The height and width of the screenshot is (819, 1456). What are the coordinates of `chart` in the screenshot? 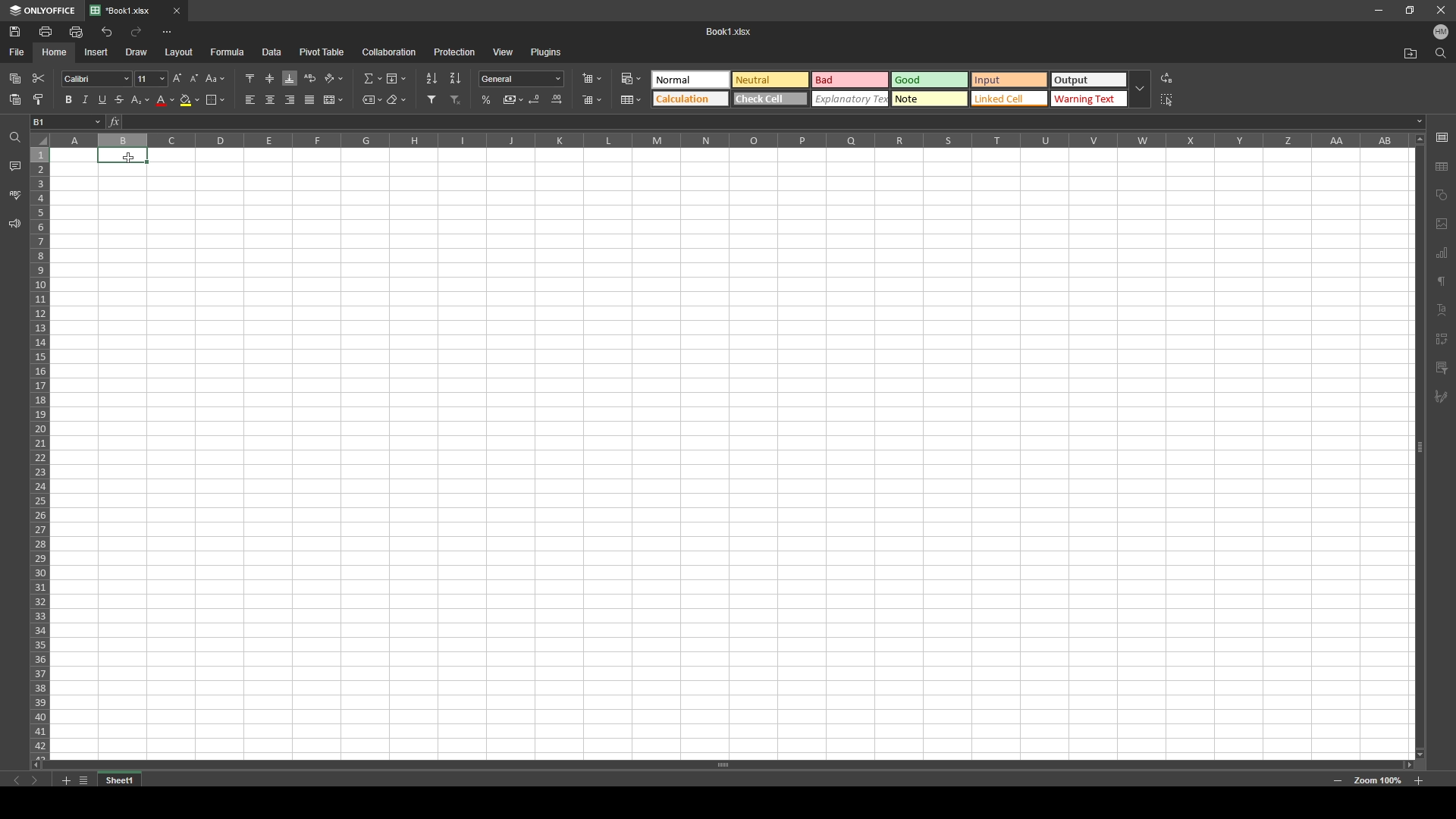 It's located at (1442, 254).